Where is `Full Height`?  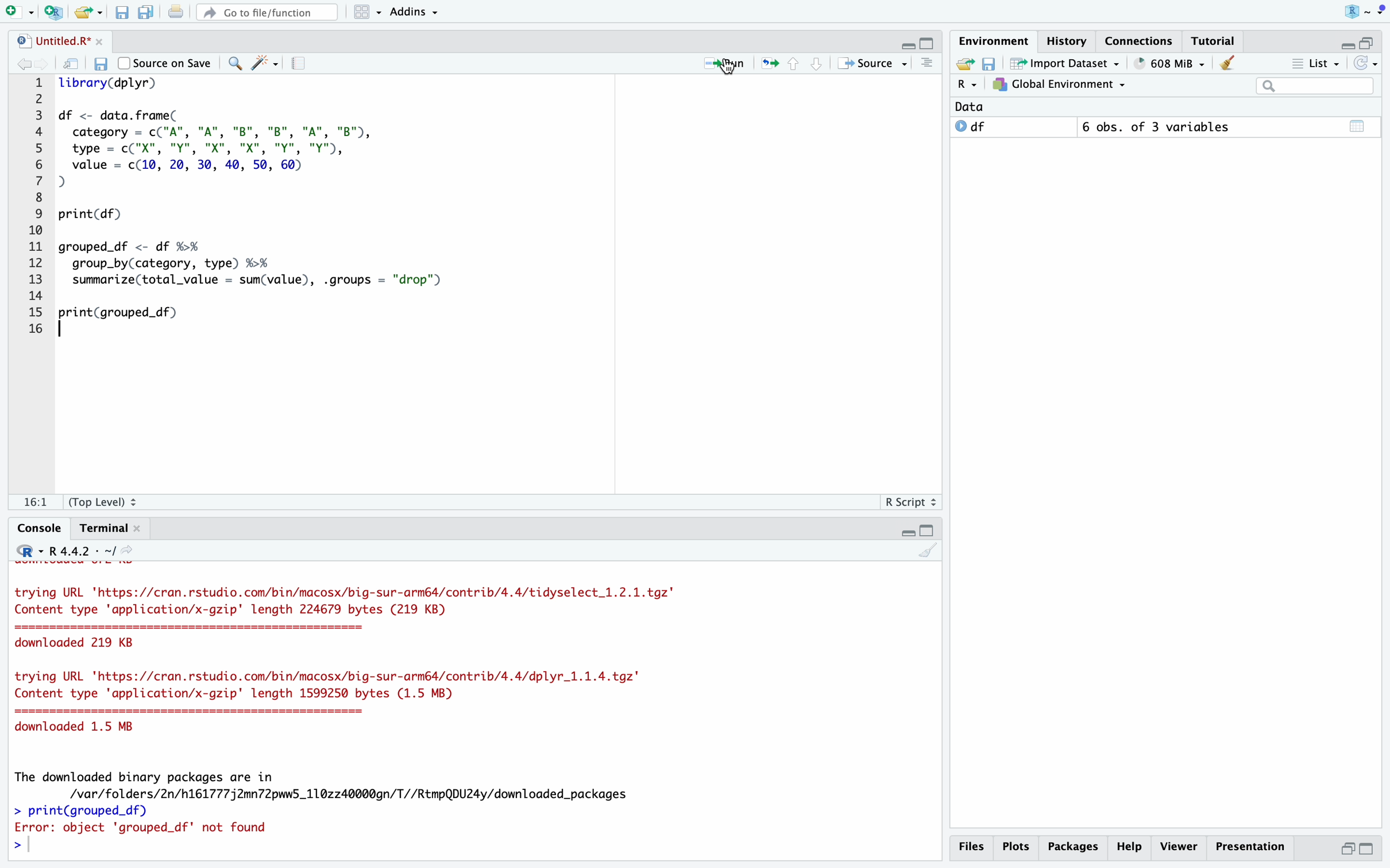
Full Height is located at coordinates (929, 41).